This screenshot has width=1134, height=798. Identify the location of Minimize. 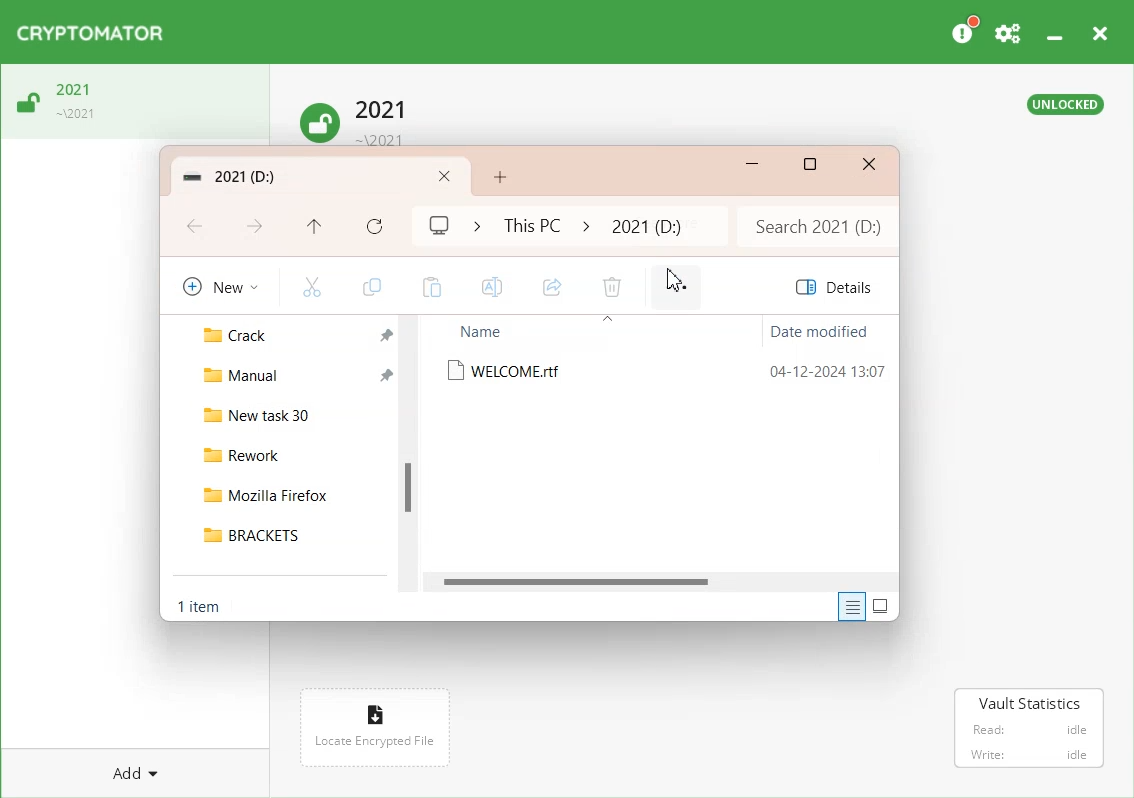
(1054, 29).